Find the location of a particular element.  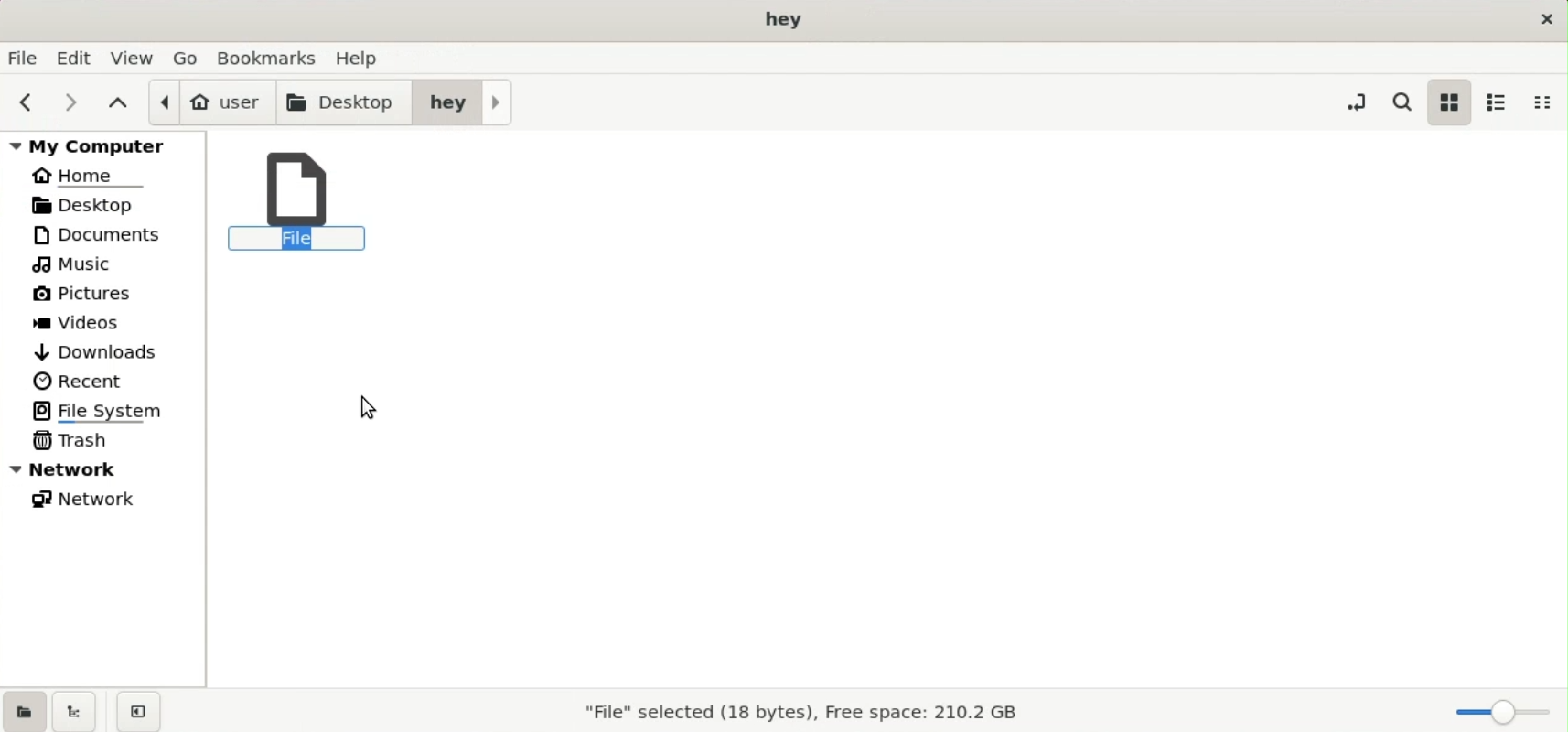

desktop is located at coordinates (346, 101).